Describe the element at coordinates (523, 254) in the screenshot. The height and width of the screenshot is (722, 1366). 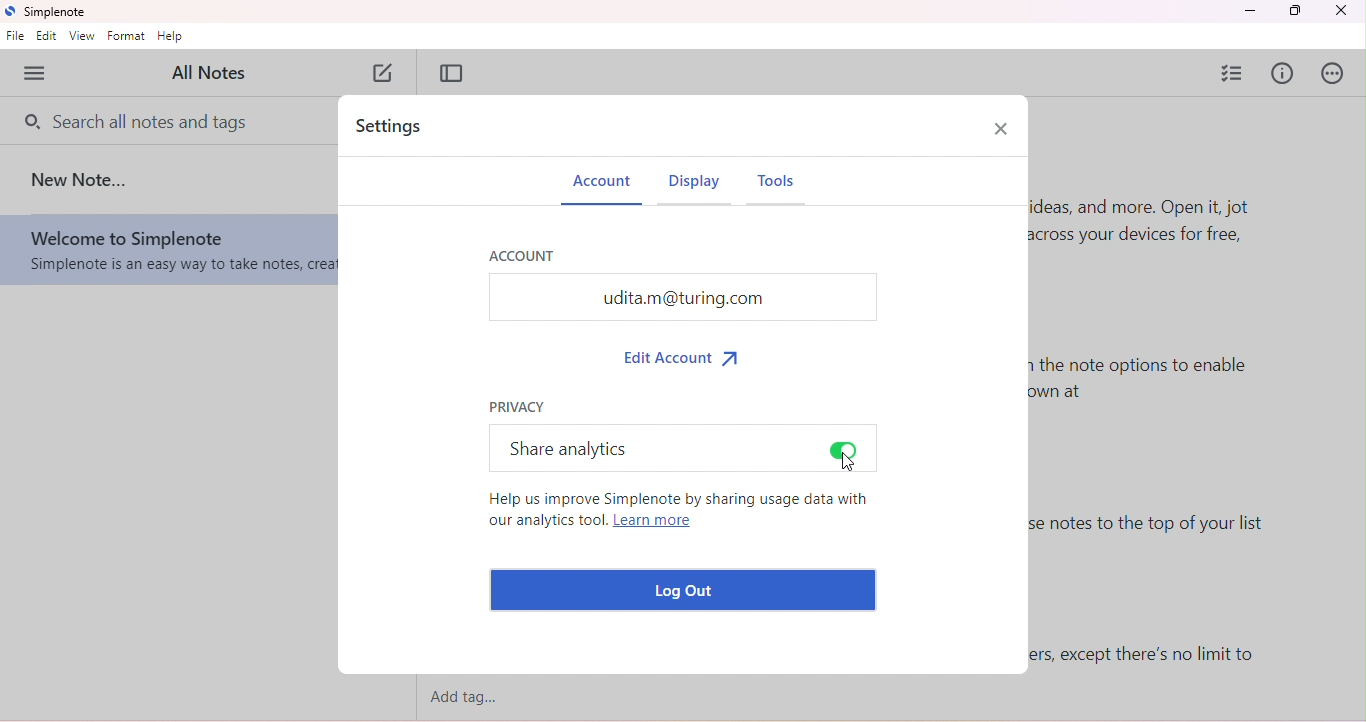
I see `account` at that location.